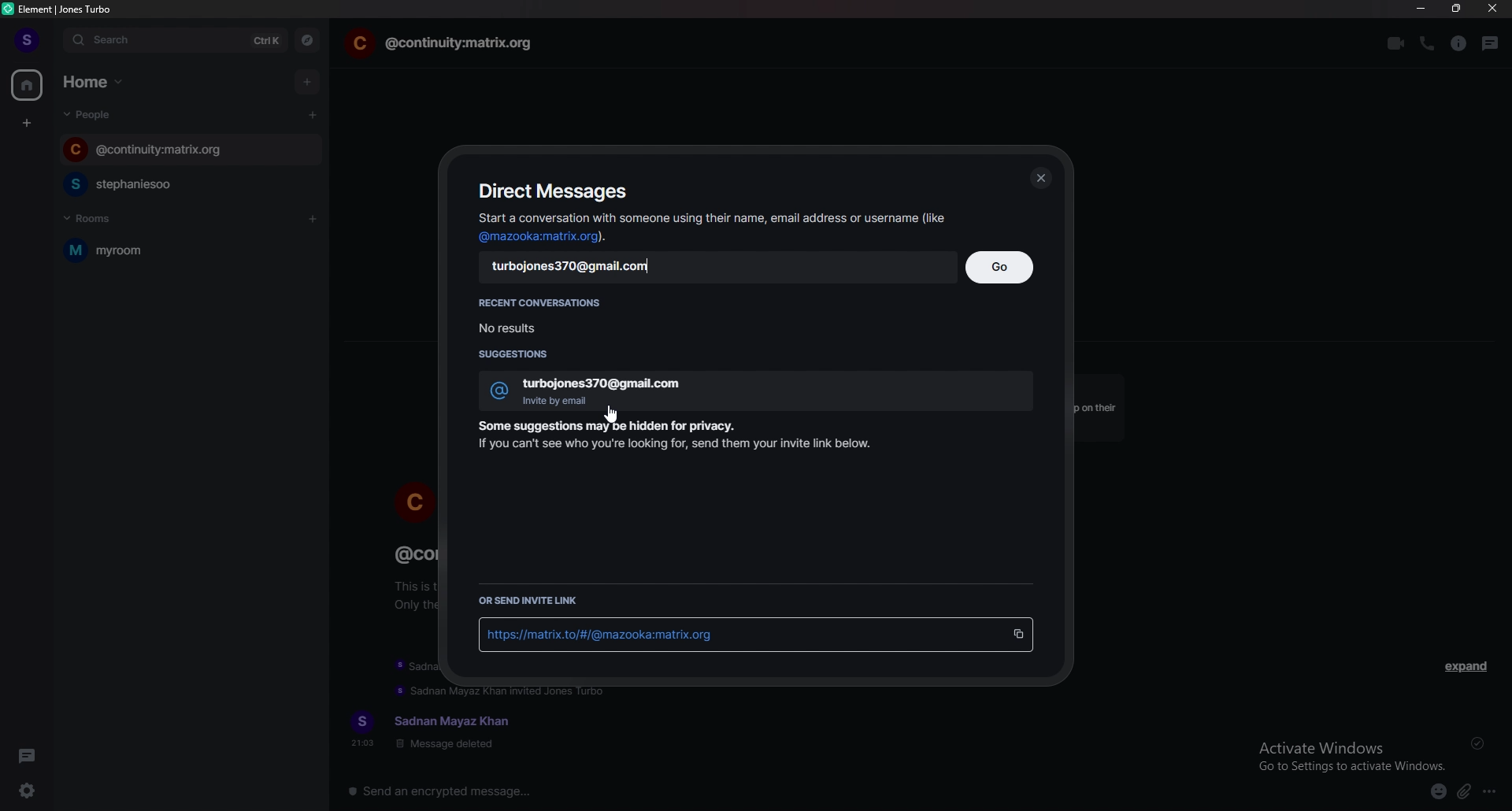  Describe the element at coordinates (94, 114) in the screenshot. I see `people` at that location.